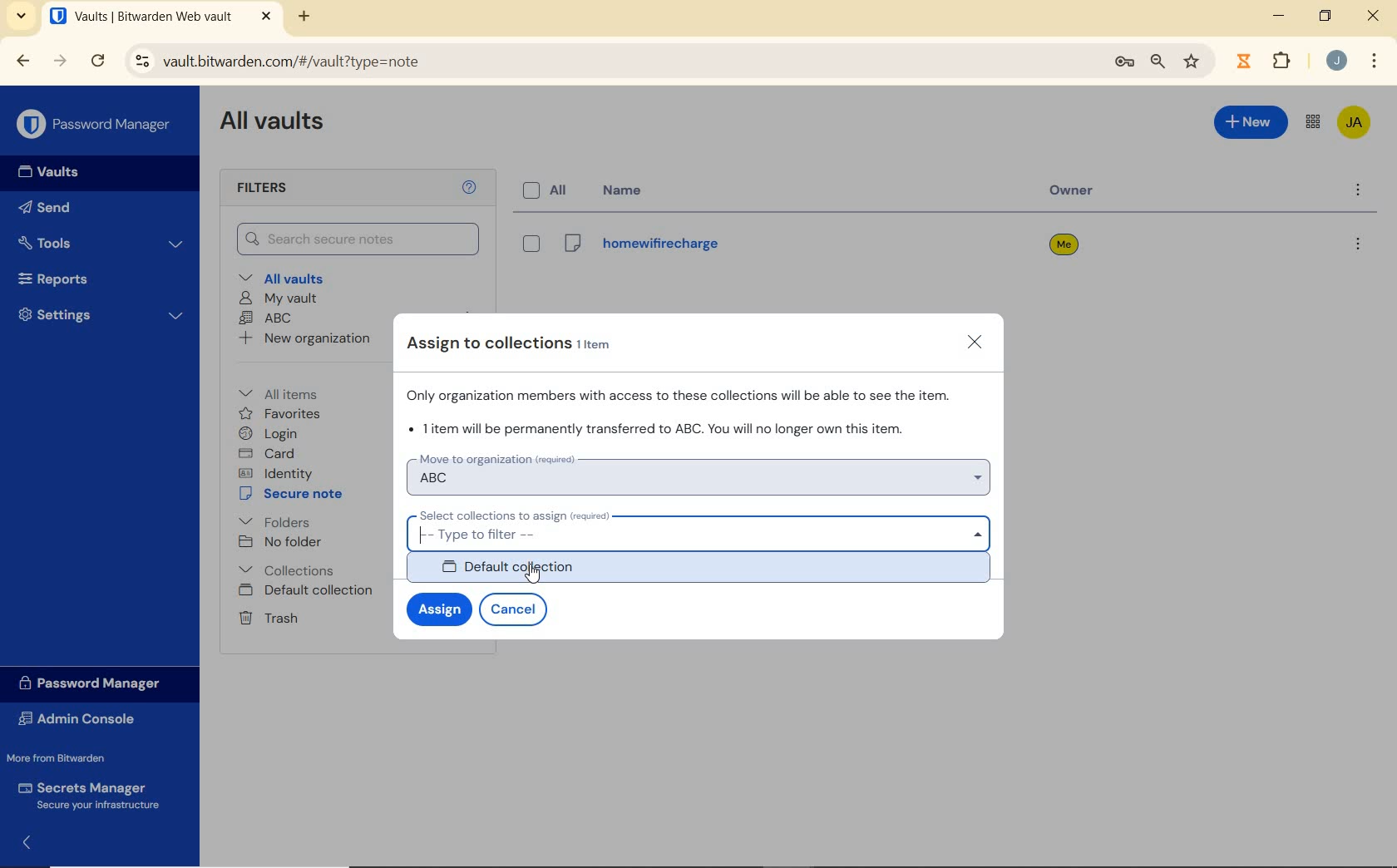  What do you see at coordinates (306, 18) in the screenshot?
I see `new tab` at bounding box center [306, 18].